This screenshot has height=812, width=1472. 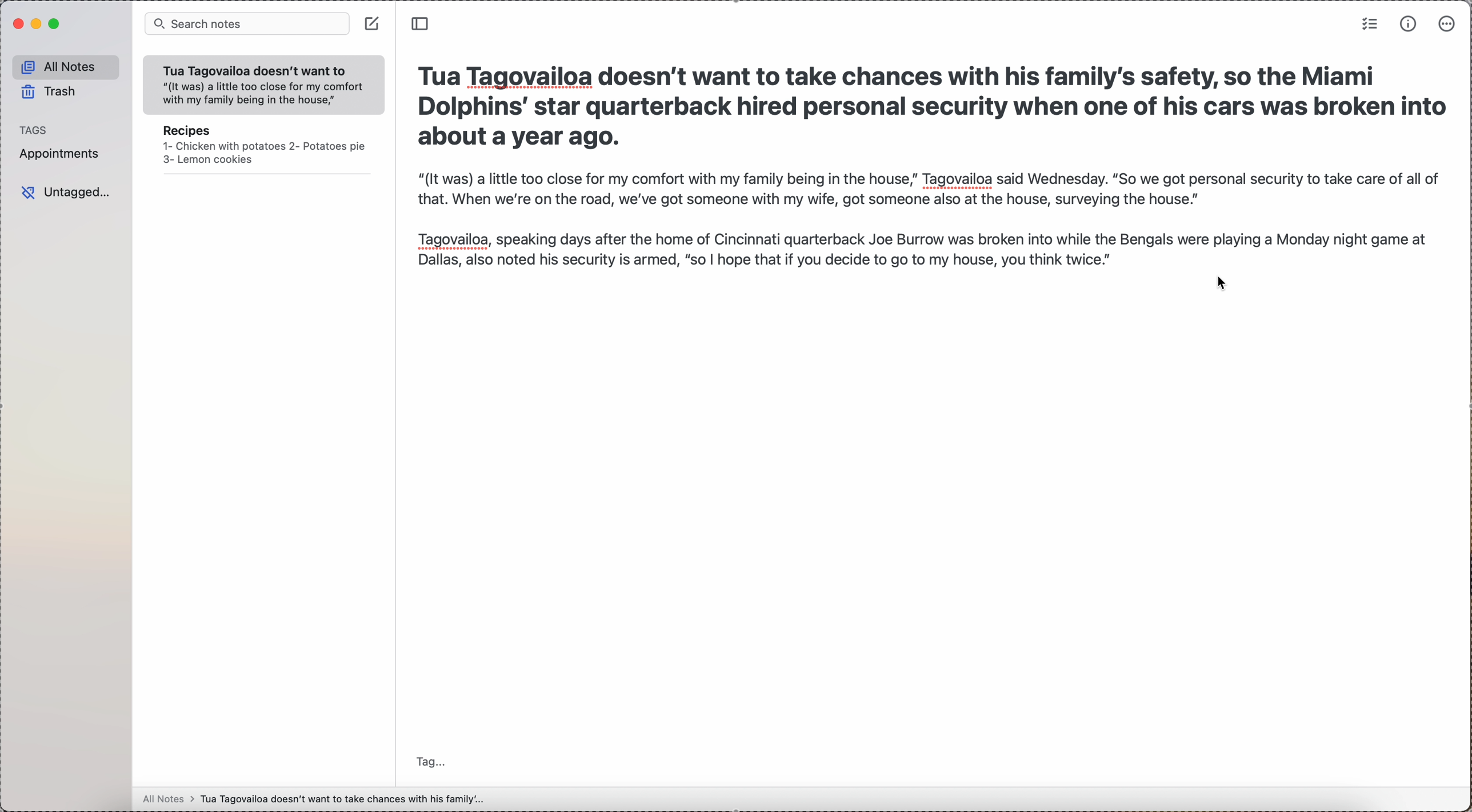 What do you see at coordinates (55, 25) in the screenshot?
I see `maximize` at bounding box center [55, 25].